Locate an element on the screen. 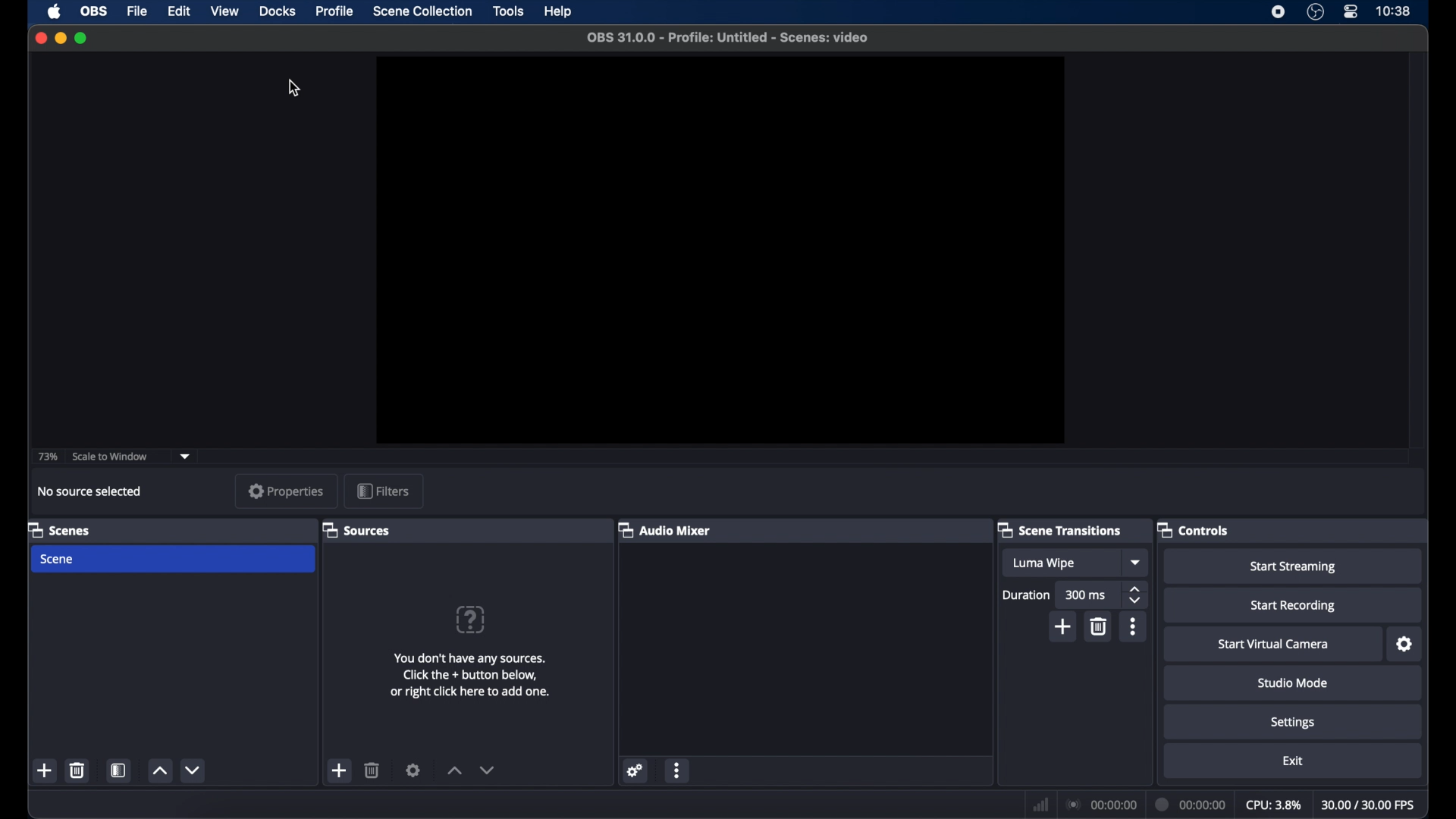 The height and width of the screenshot is (819, 1456). delete is located at coordinates (372, 770).